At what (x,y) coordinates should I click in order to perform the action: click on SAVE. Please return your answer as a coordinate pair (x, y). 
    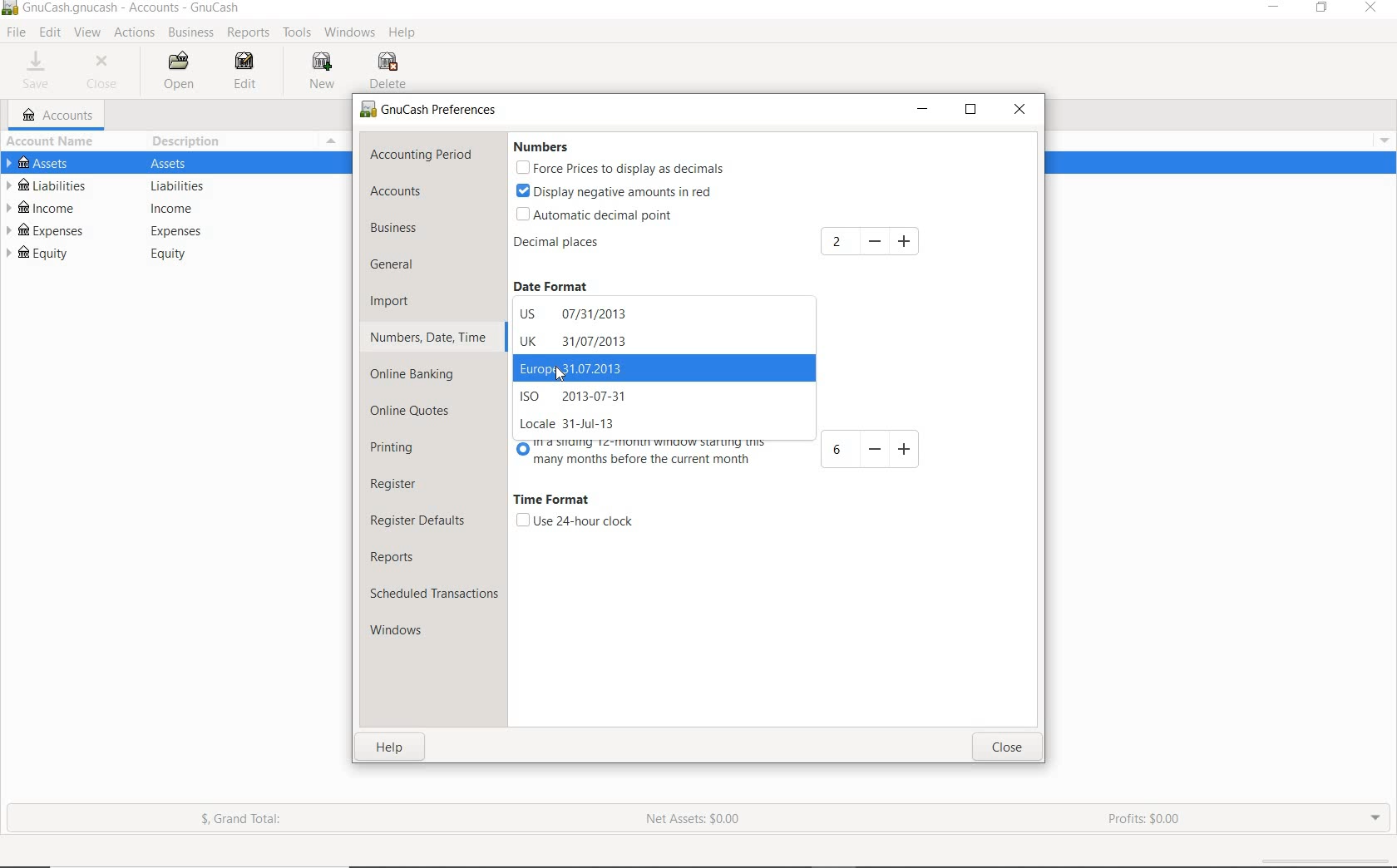
    Looking at the image, I should click on (37, 72).